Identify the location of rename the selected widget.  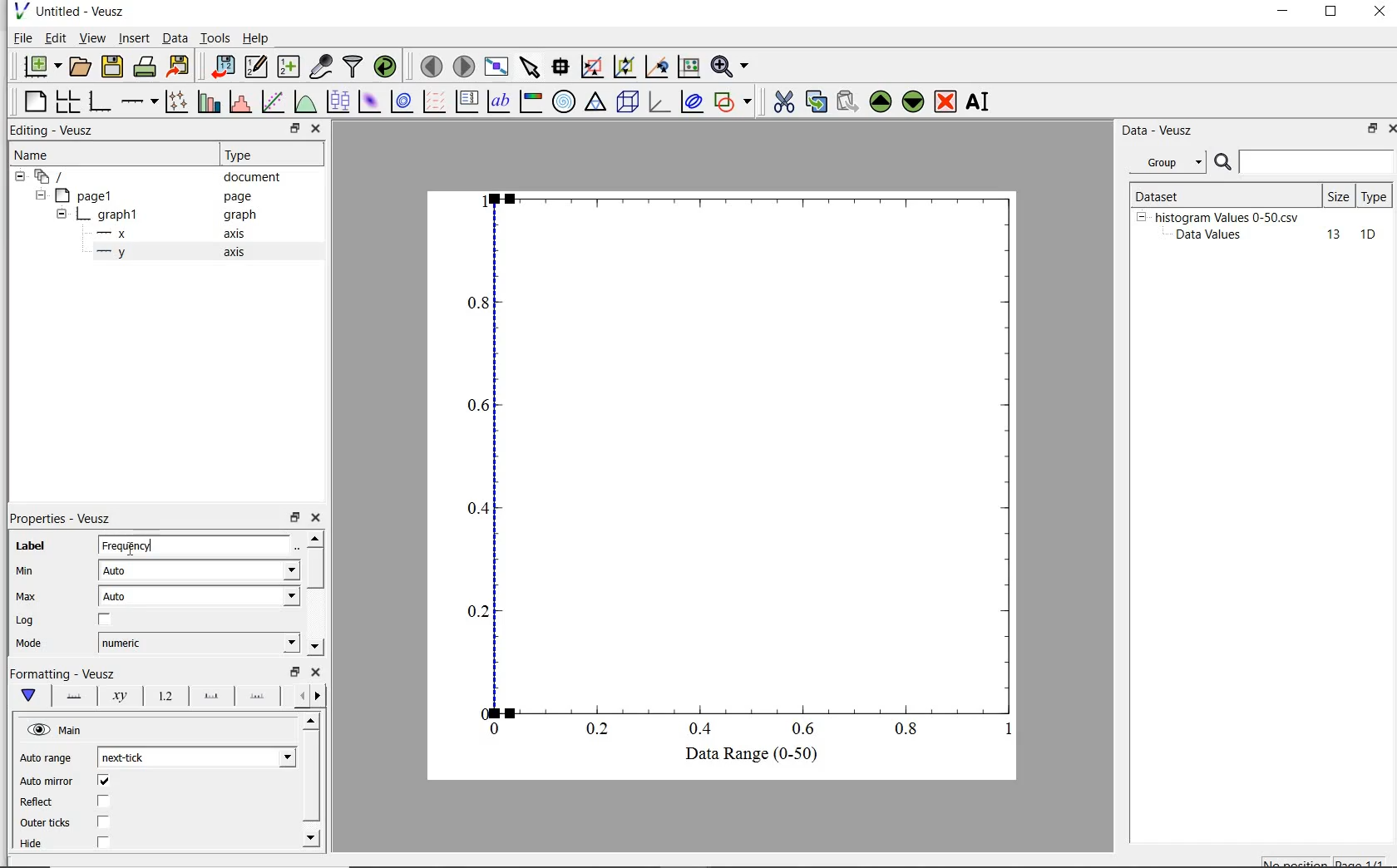
(980, 101).